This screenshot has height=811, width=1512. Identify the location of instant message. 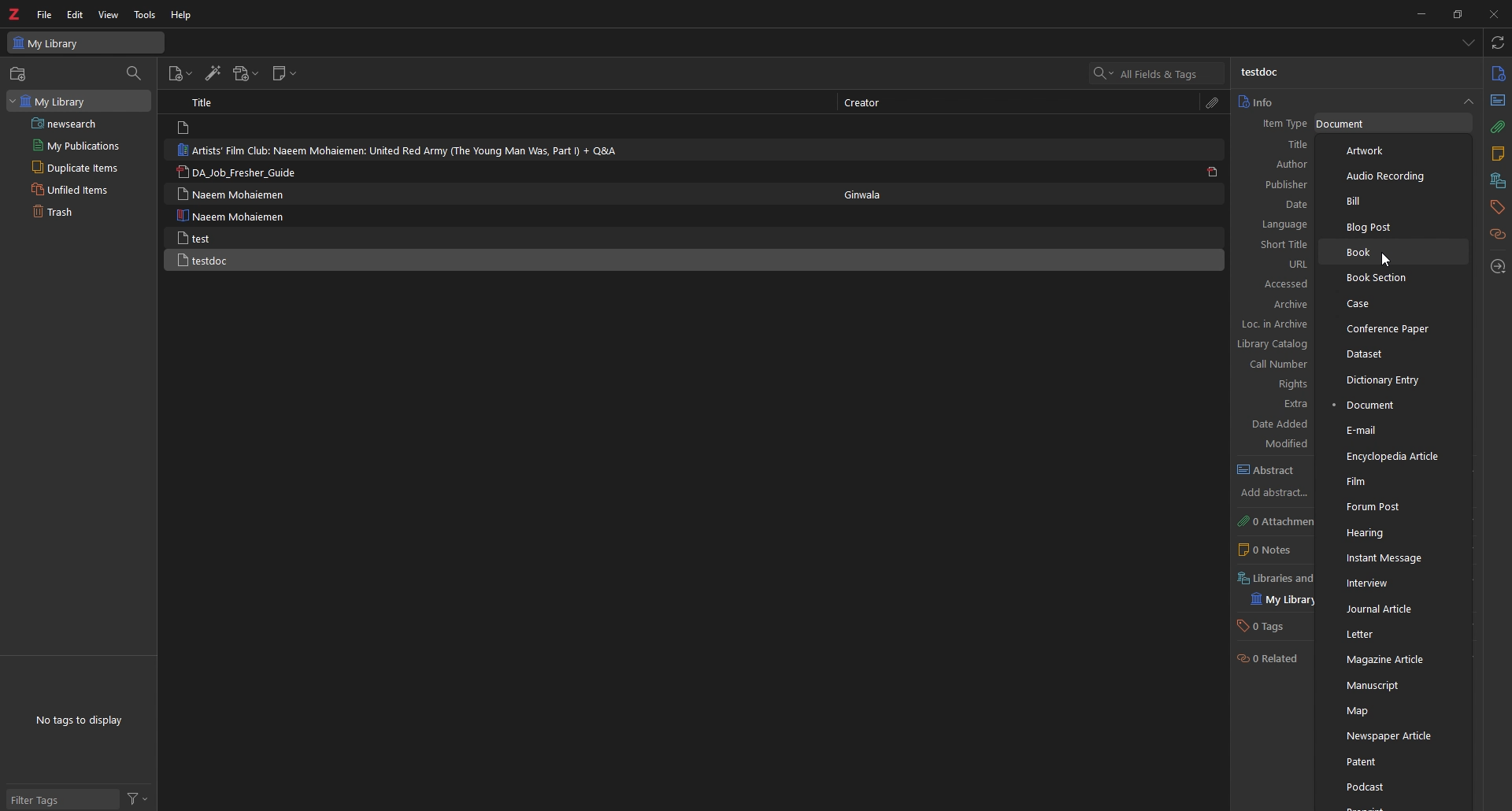
(1393, 557).